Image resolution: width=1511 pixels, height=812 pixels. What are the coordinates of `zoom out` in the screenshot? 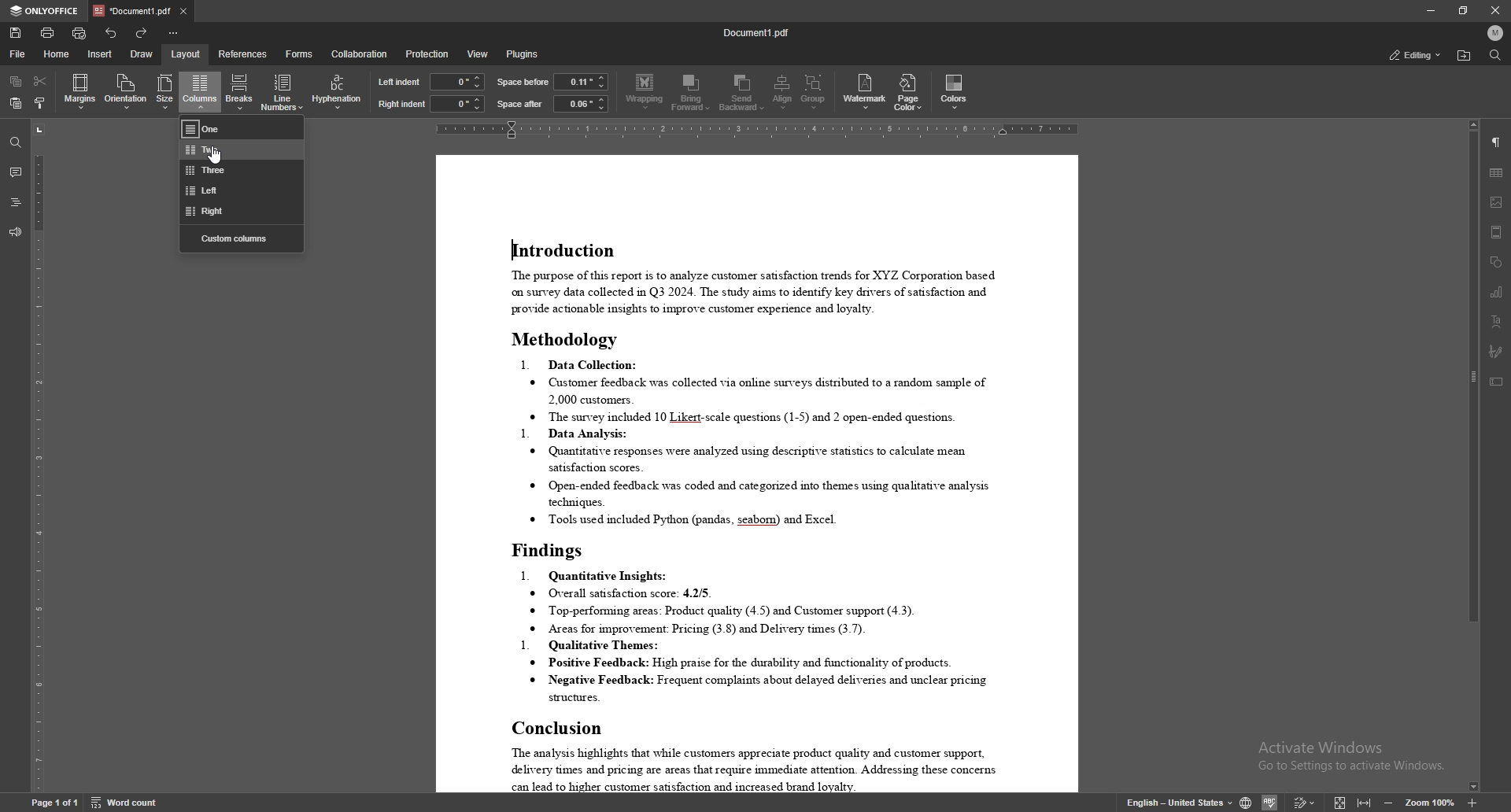 It's located at (1391, 801).